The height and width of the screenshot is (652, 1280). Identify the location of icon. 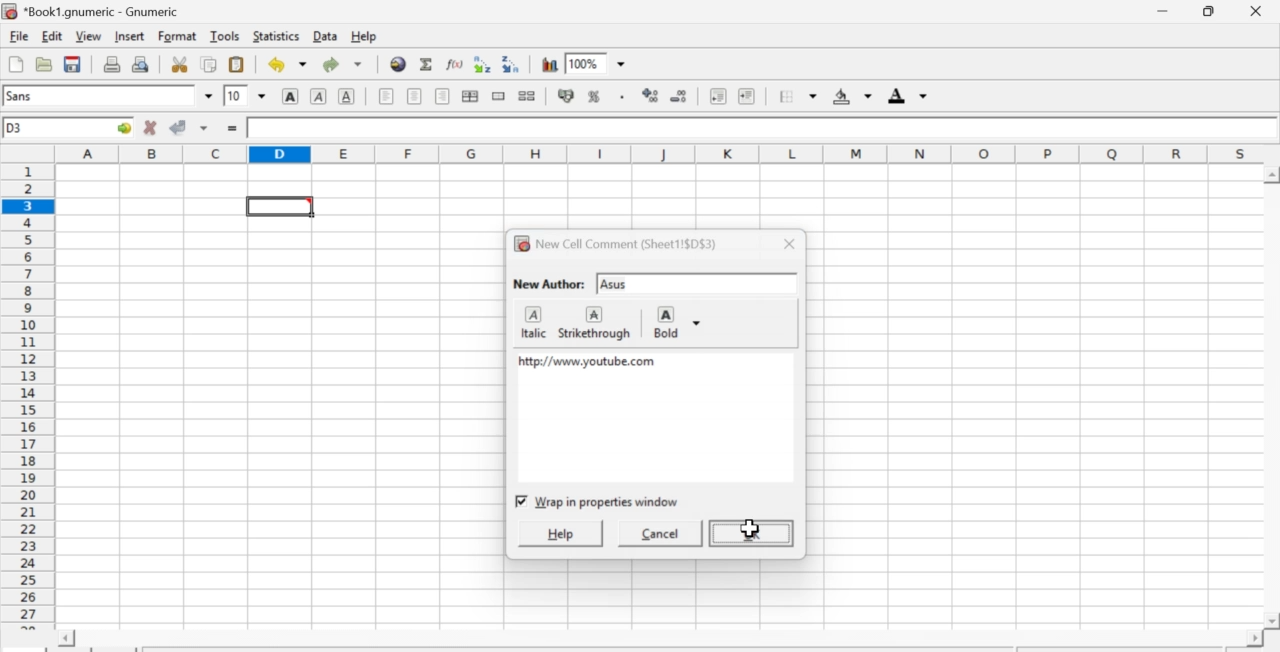
(522, 244).